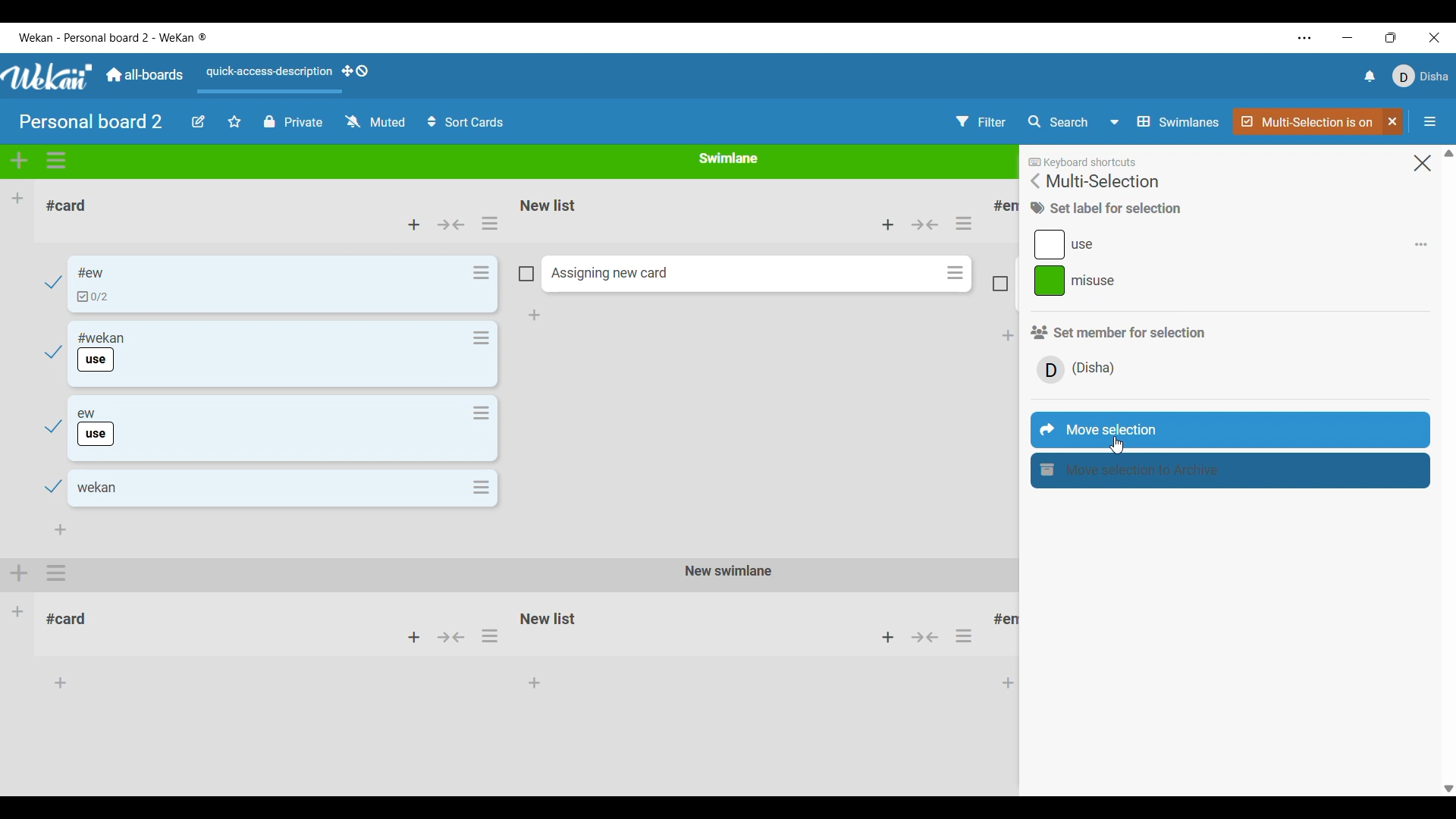 The width and height of the screenshot is (1456, 819). I want to click on Edit board, so click(198, 122).